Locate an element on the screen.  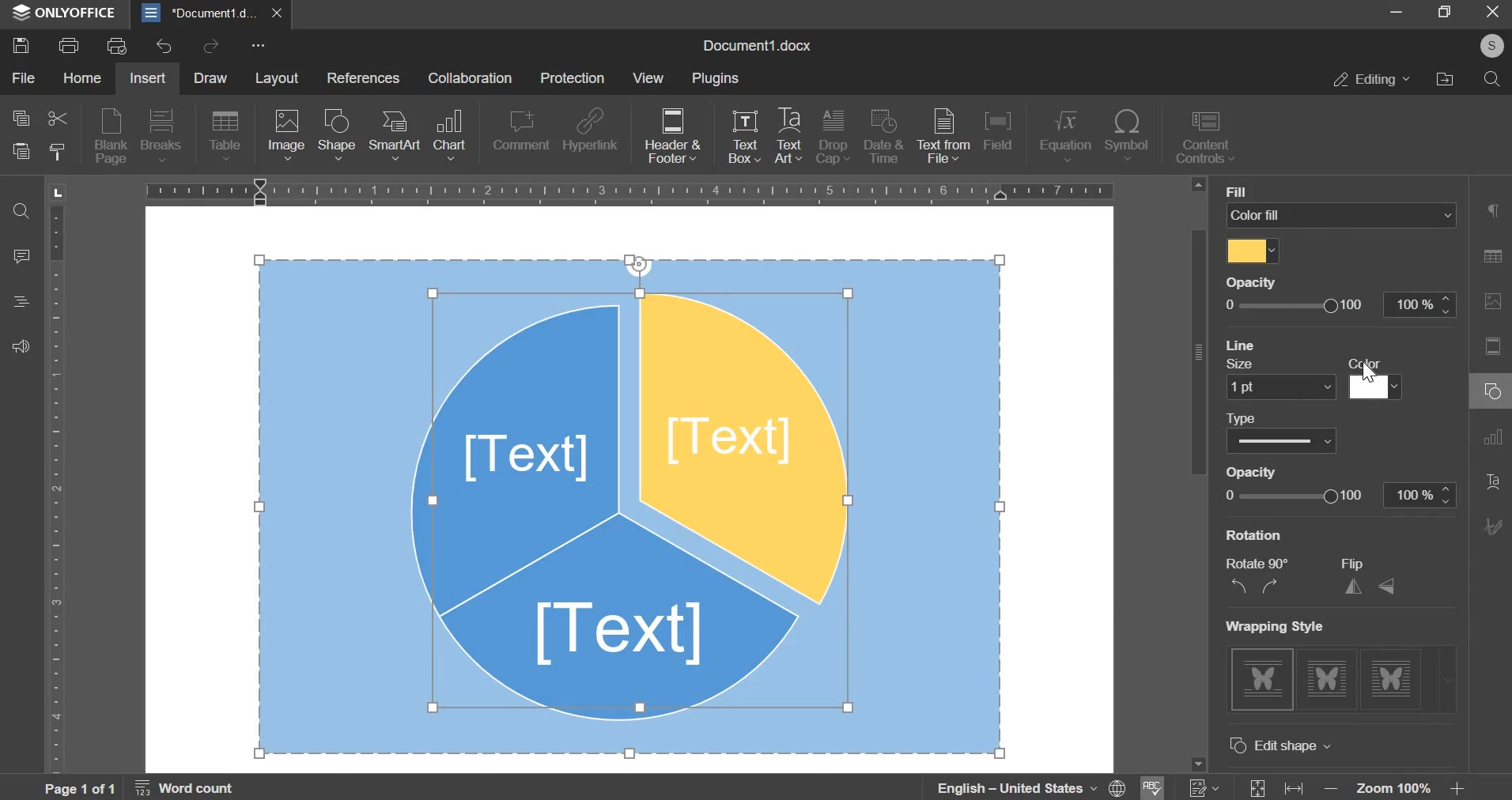
language is located at coordinates (1018, 787).